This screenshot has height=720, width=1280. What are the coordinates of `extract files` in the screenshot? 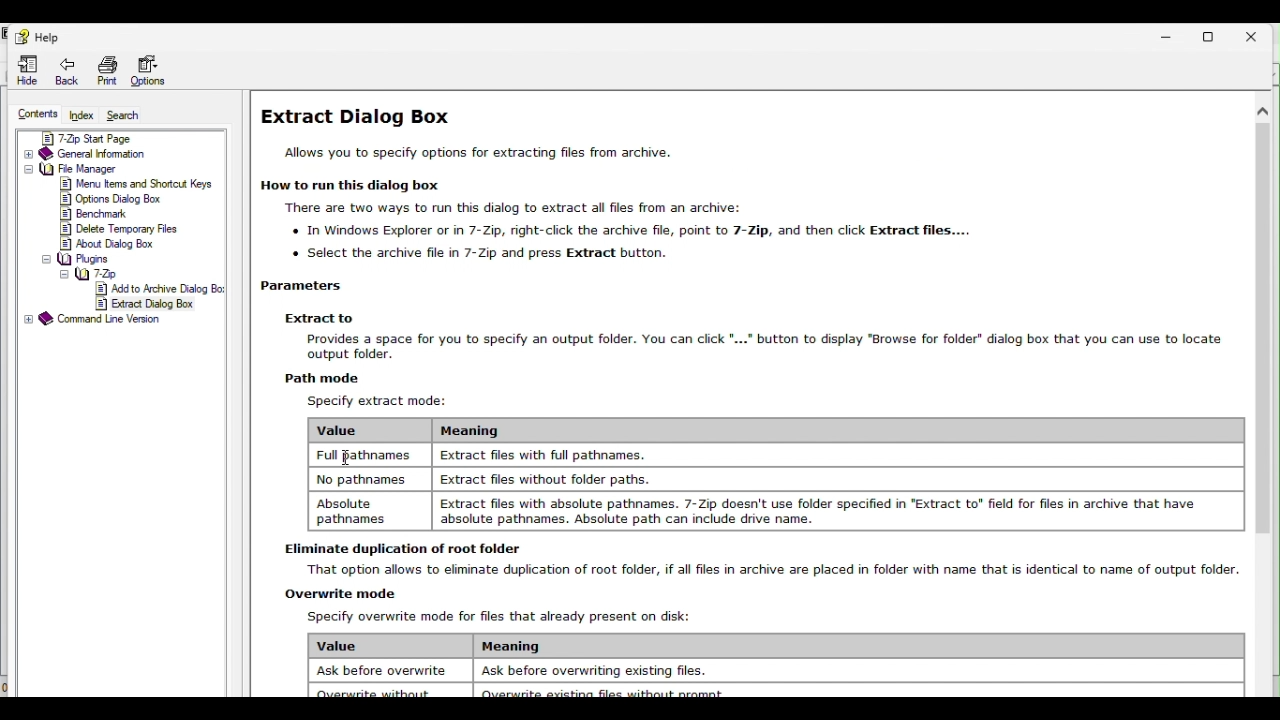 It's located at (821, 511).